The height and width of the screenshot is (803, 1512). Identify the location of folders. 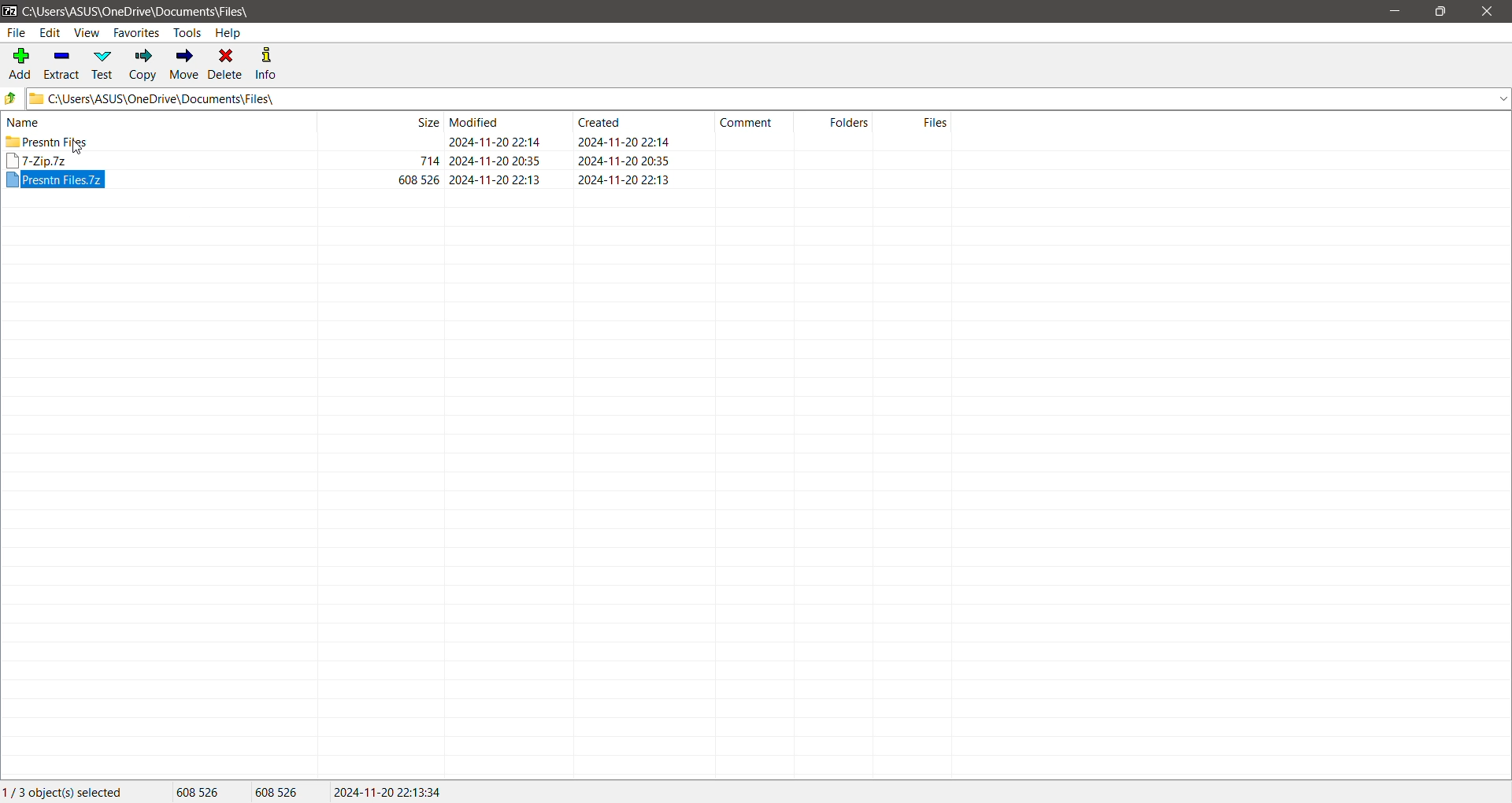
(849, 121).